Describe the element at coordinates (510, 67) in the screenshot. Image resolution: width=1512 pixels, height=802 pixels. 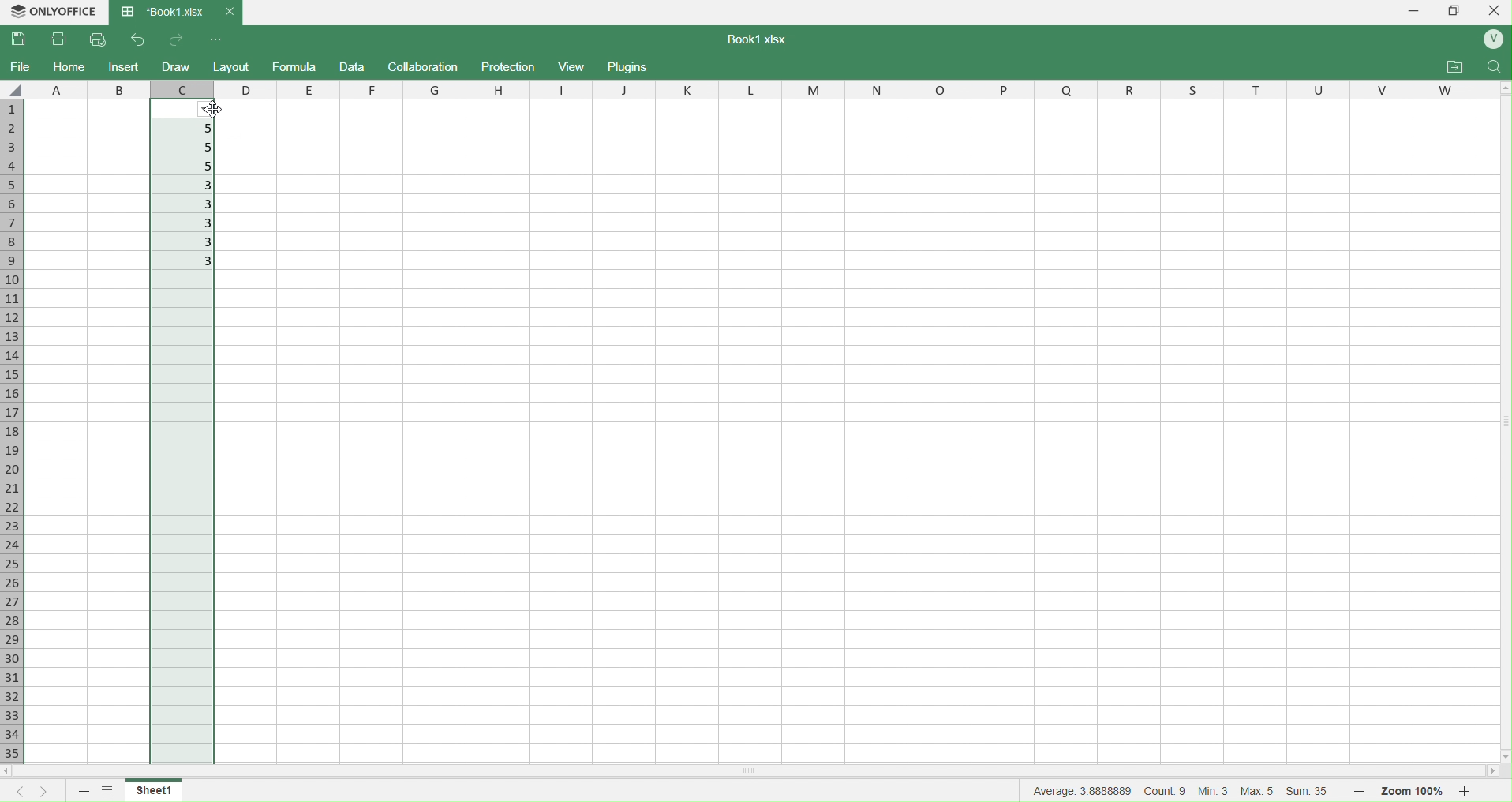
I see `Protection` at that location.